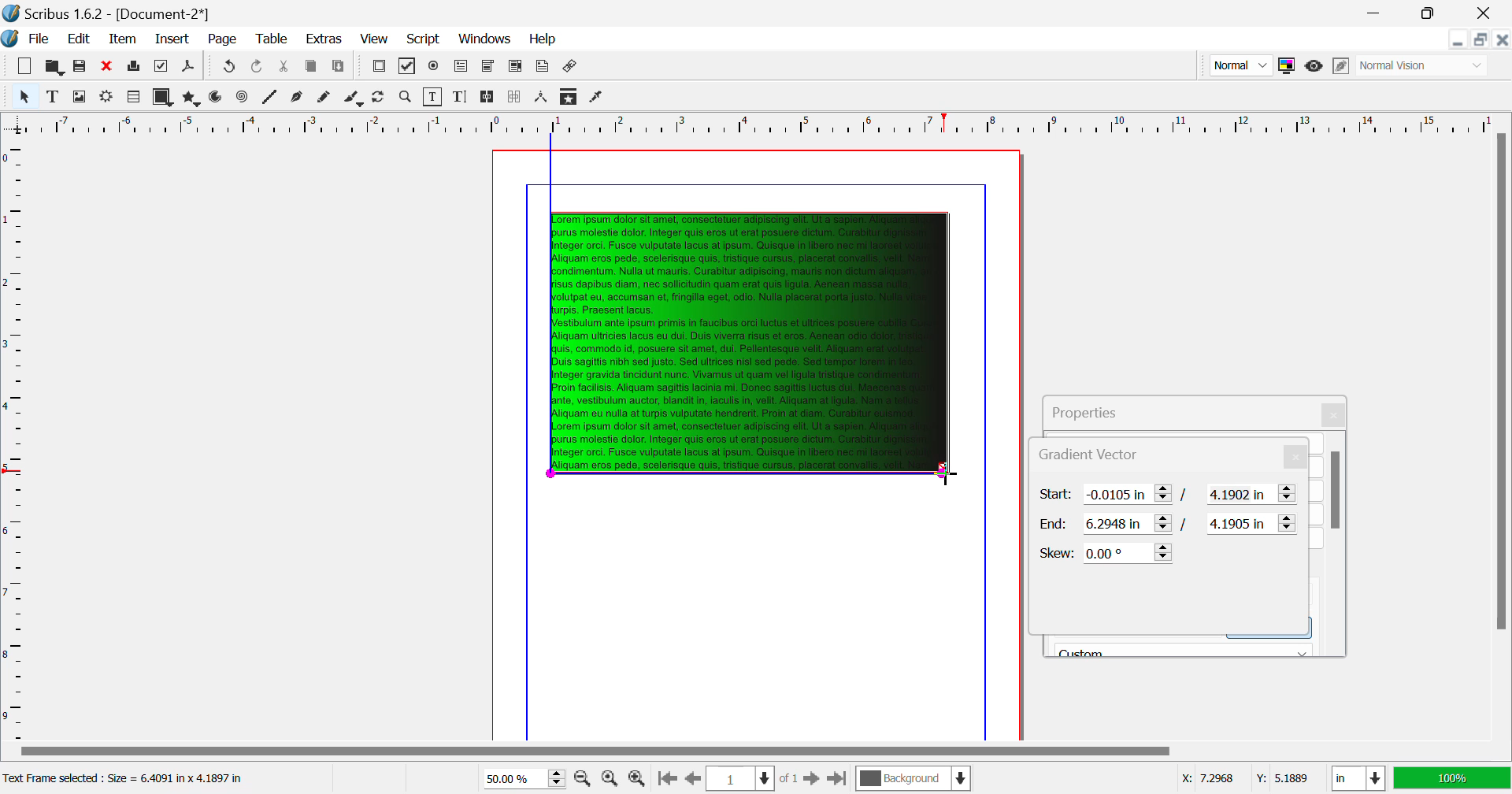 This screenshot has height=794, width=1512. Describe the element at coordinates (322, 39) in the screenshot. I see `Extras` at that location.